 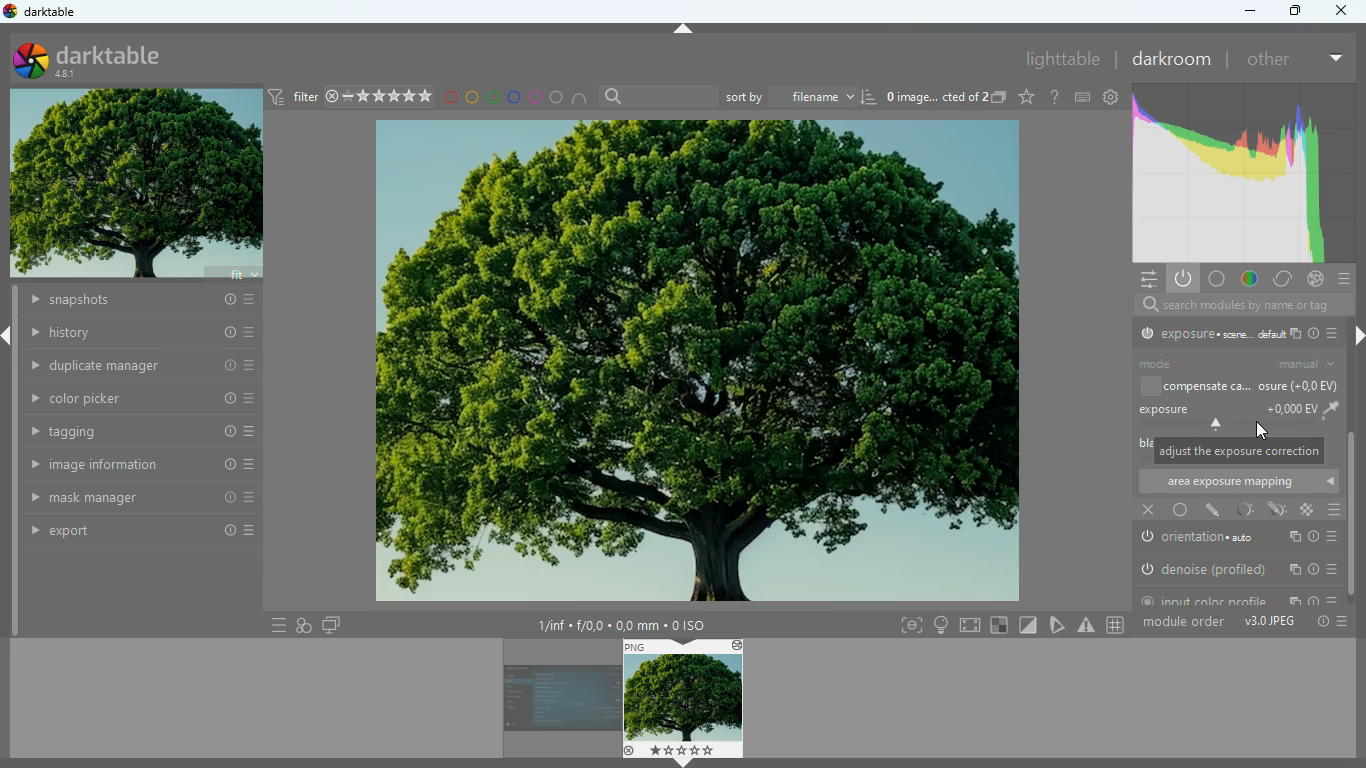 I want to click on overlap, so click(x=305, y=624).